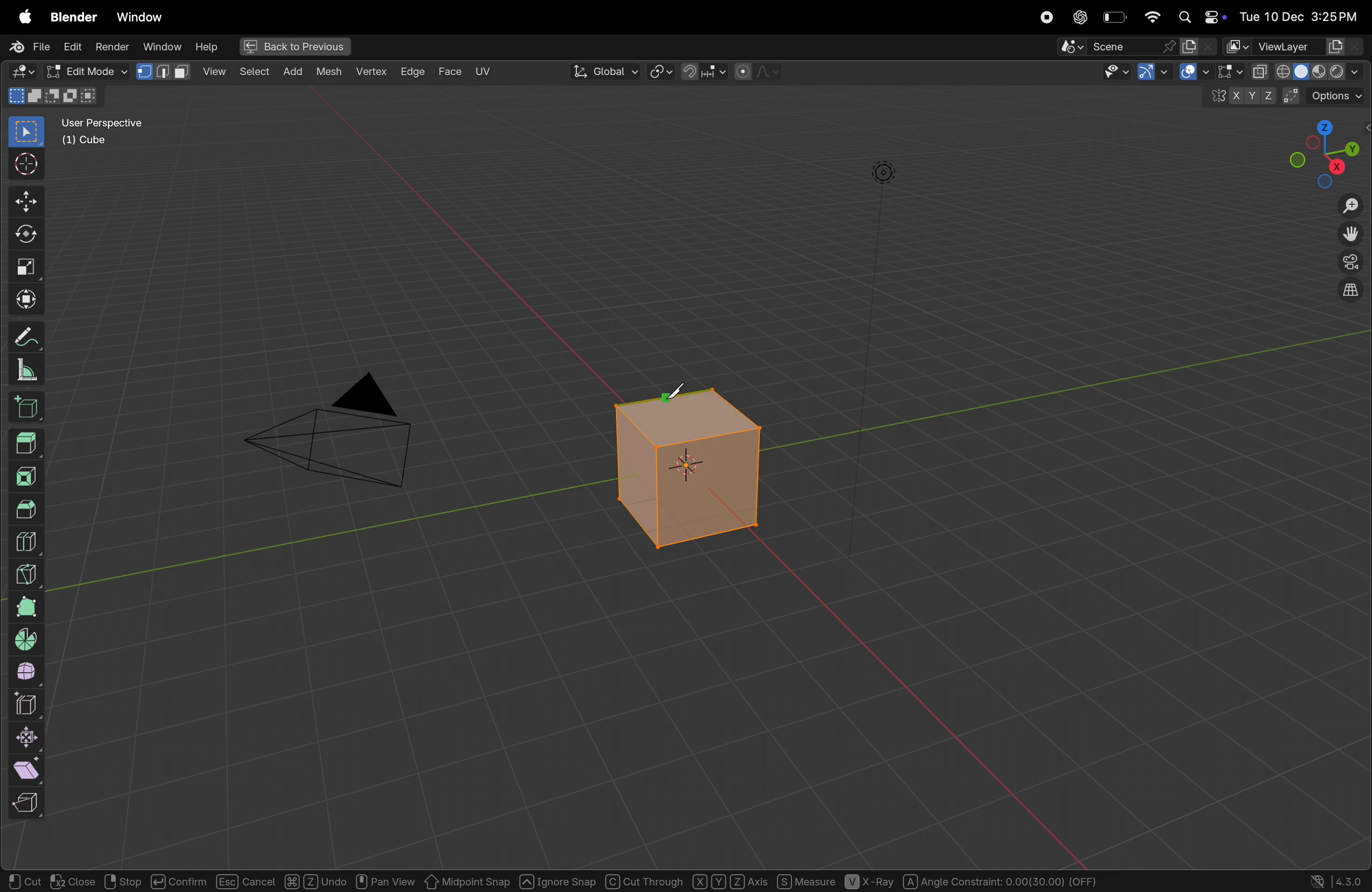  What do you see at coordinates (1201, 16) in the screenshot?
I see `apple widgets` at bounding box center [1201, 16].